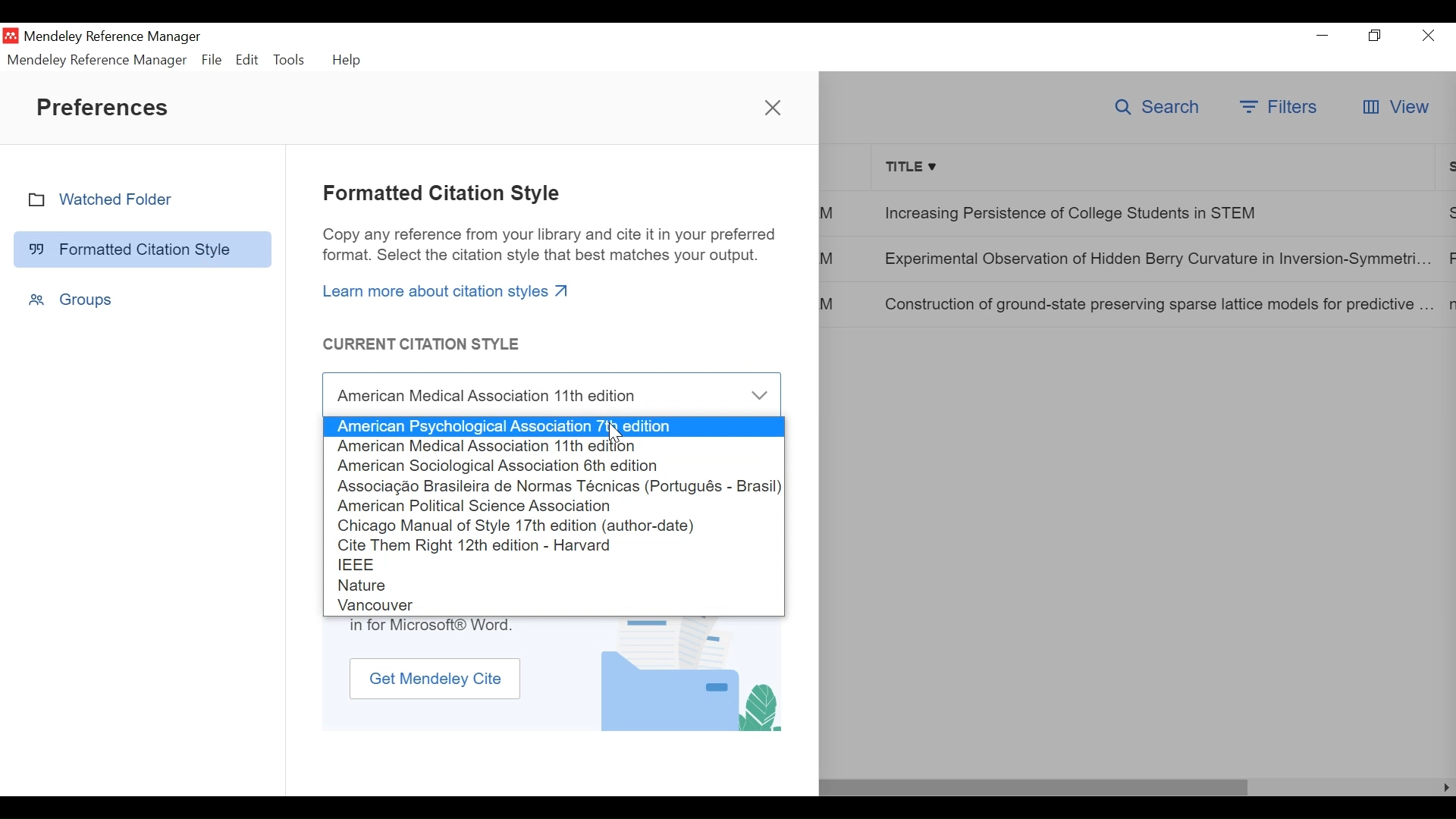 This screenshot has width=1456, height=819. Describe the element at coordinates (447, 290) in the screenshot. I see `Learn more about citation styles` at that location.